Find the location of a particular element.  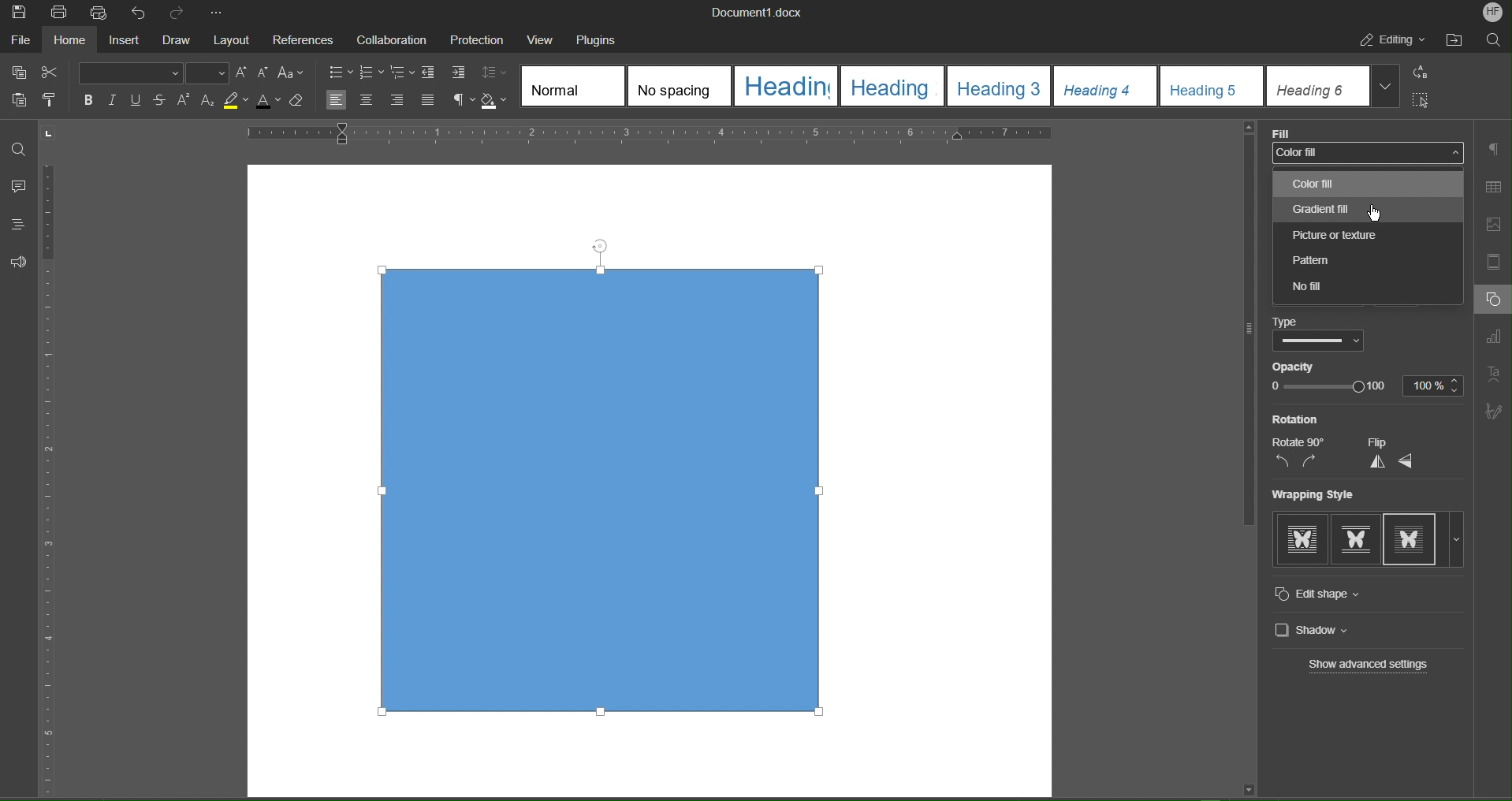

Rotate 90 is located at coordinates (1302, 441).